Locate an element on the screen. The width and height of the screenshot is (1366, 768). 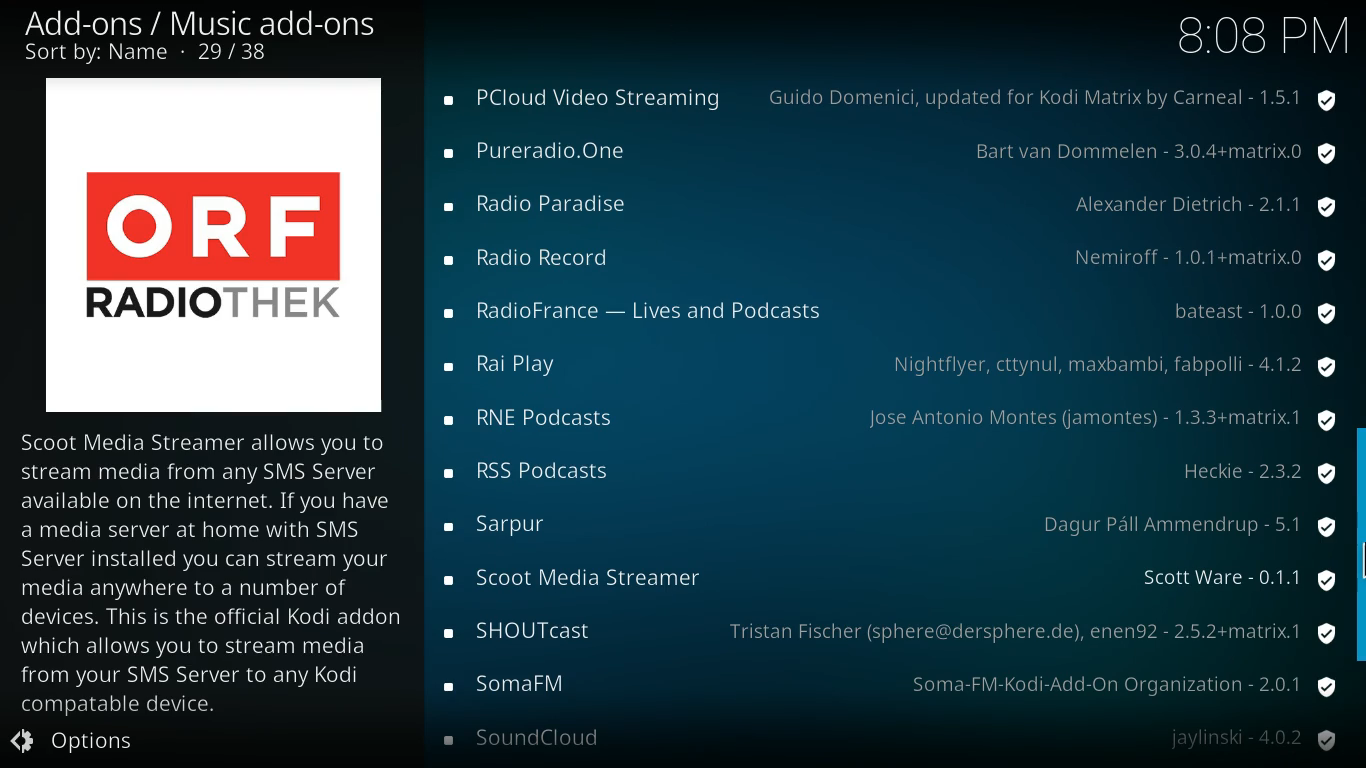
add-on is located at coordinates (635, 314).